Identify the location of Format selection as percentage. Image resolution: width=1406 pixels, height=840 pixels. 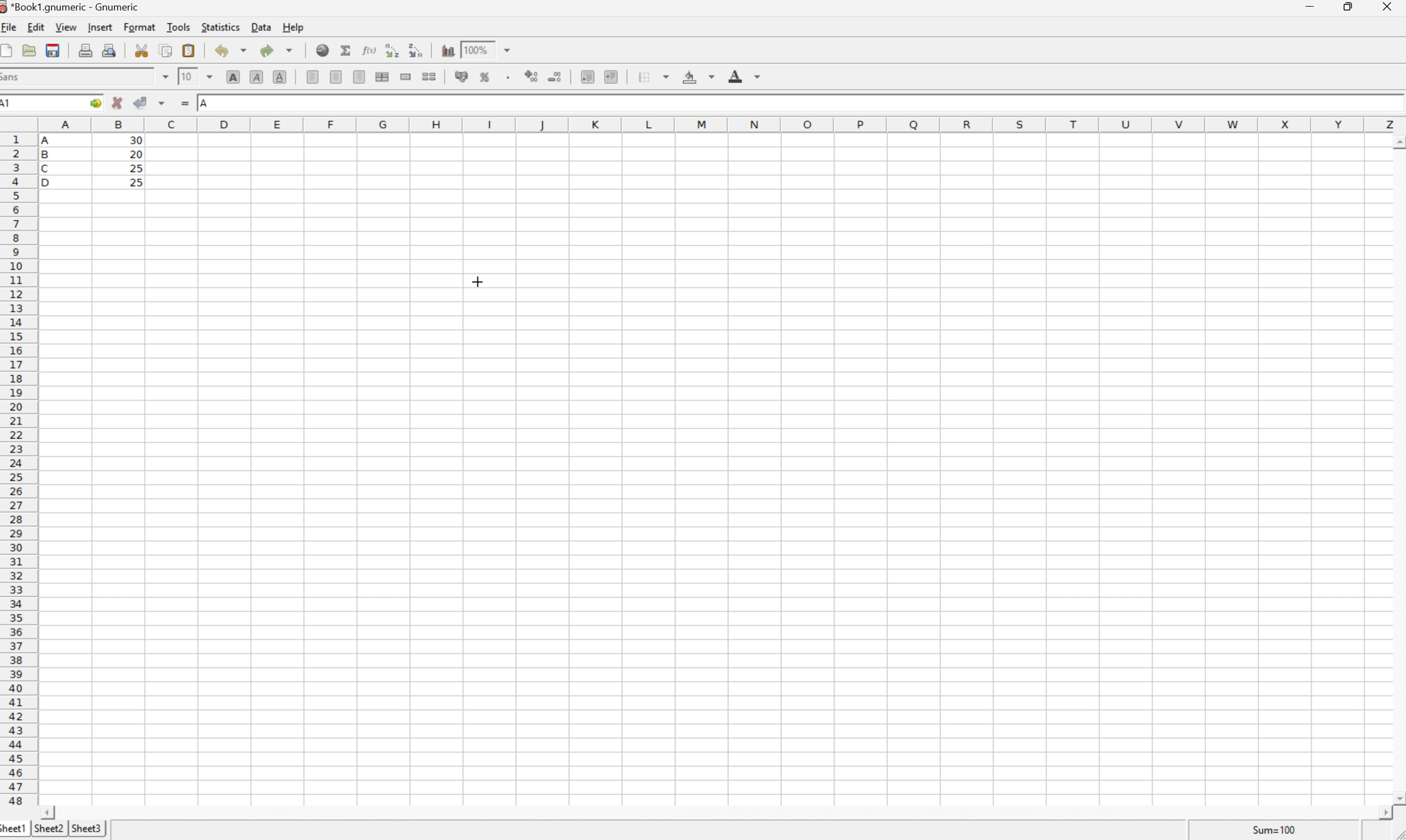
(486, 79).